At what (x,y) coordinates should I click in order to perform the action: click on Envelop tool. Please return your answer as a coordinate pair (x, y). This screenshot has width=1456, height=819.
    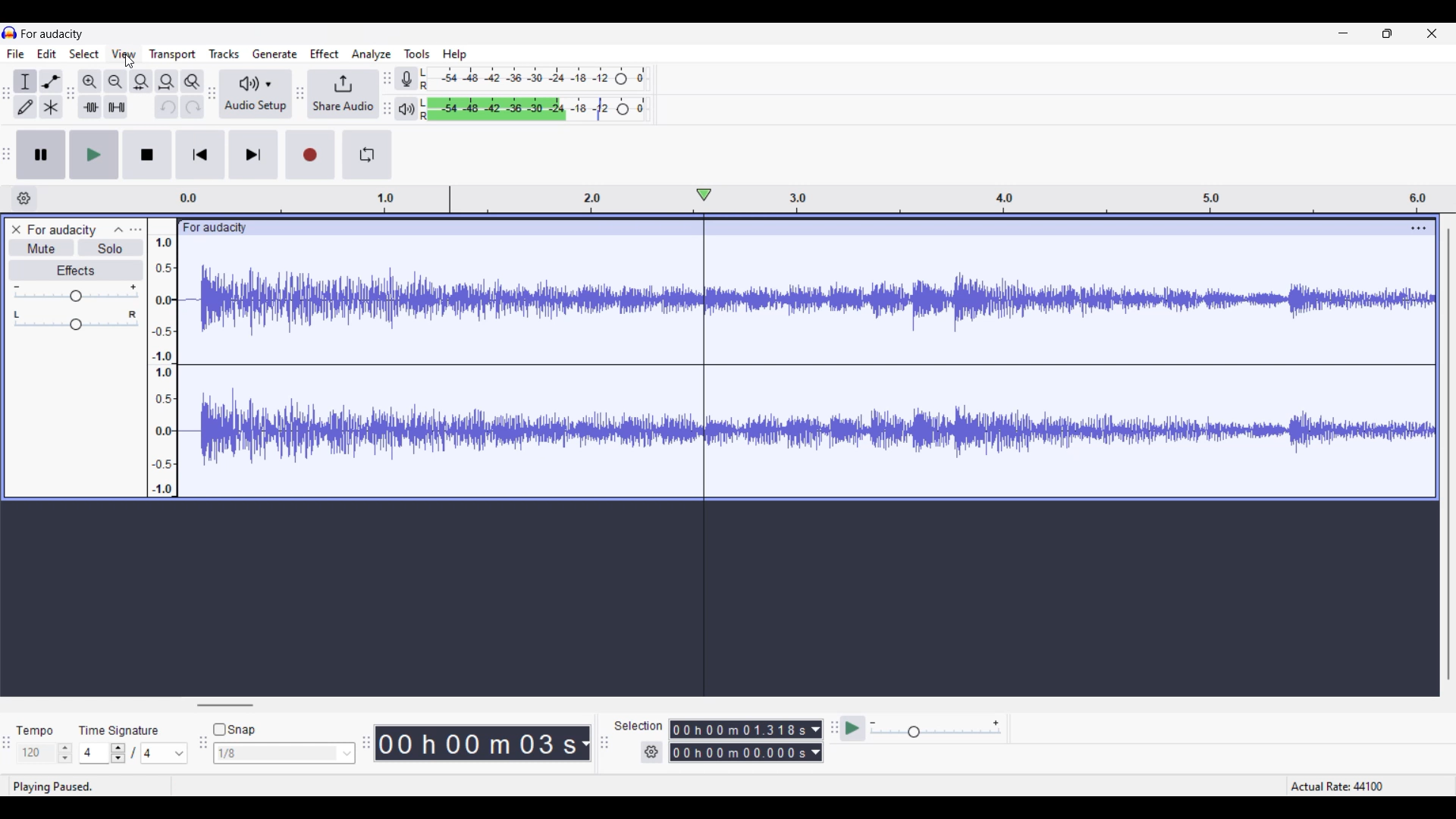
    Looking at the image, I should click on (51, 82).